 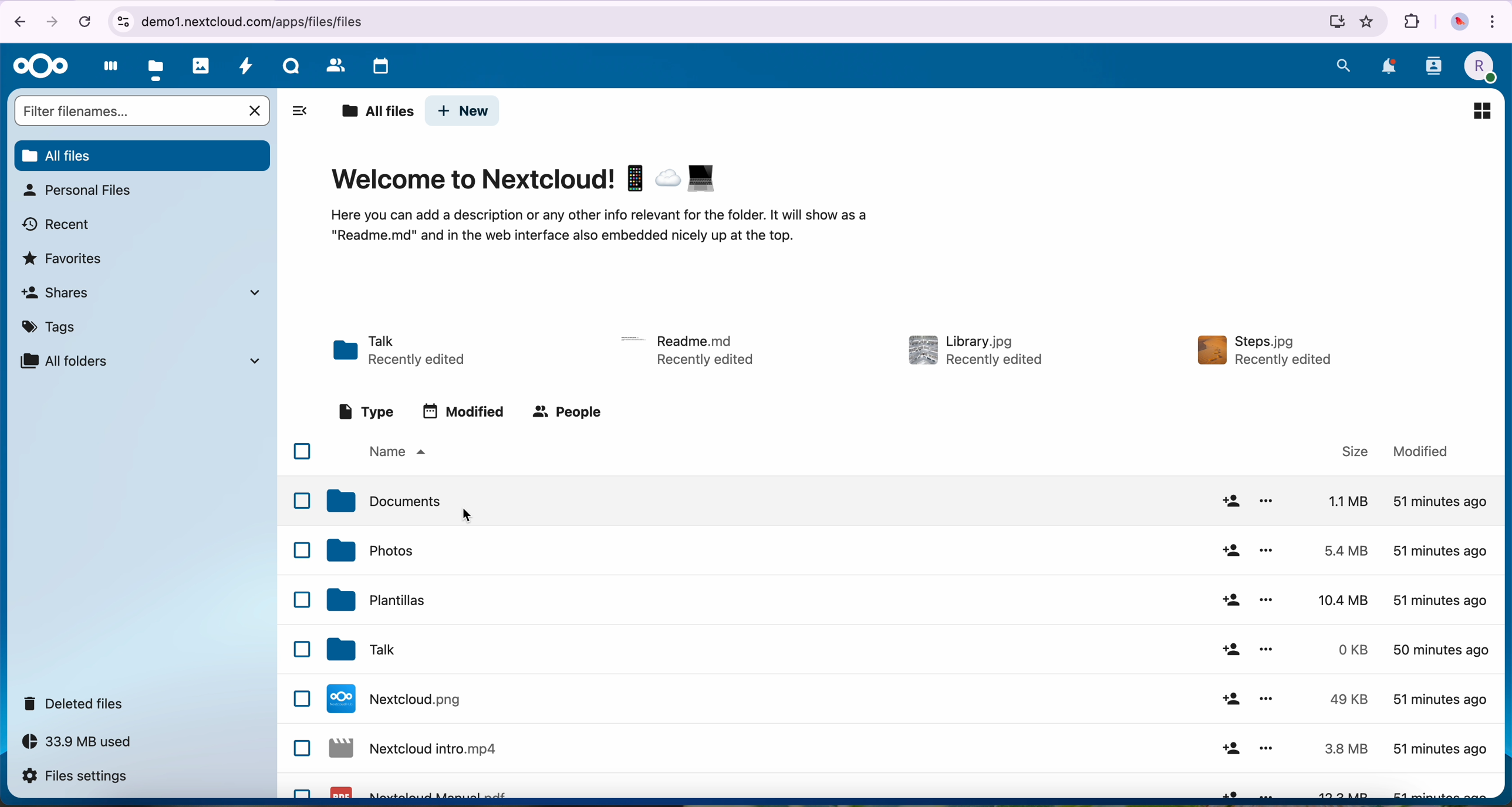 I want to click on search, so click(x=1344, y=65).